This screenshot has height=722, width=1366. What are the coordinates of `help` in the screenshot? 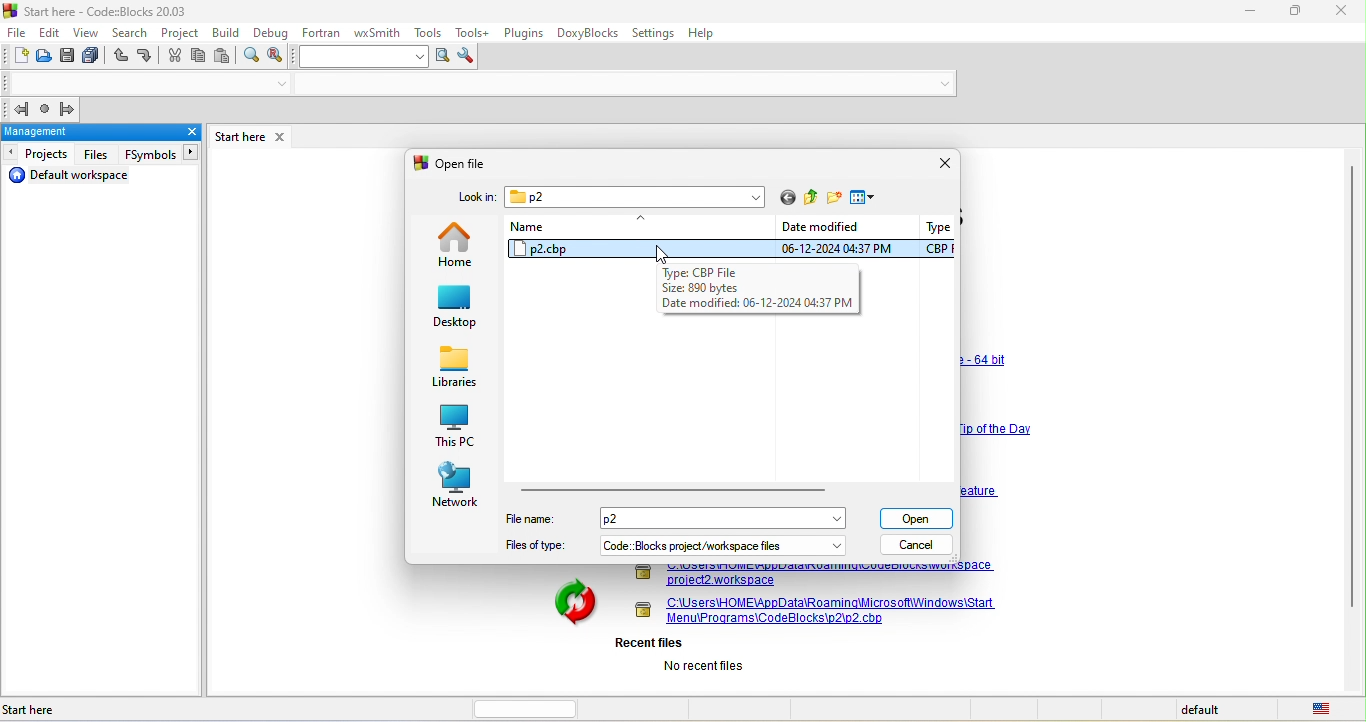 It's located at (704, 36).